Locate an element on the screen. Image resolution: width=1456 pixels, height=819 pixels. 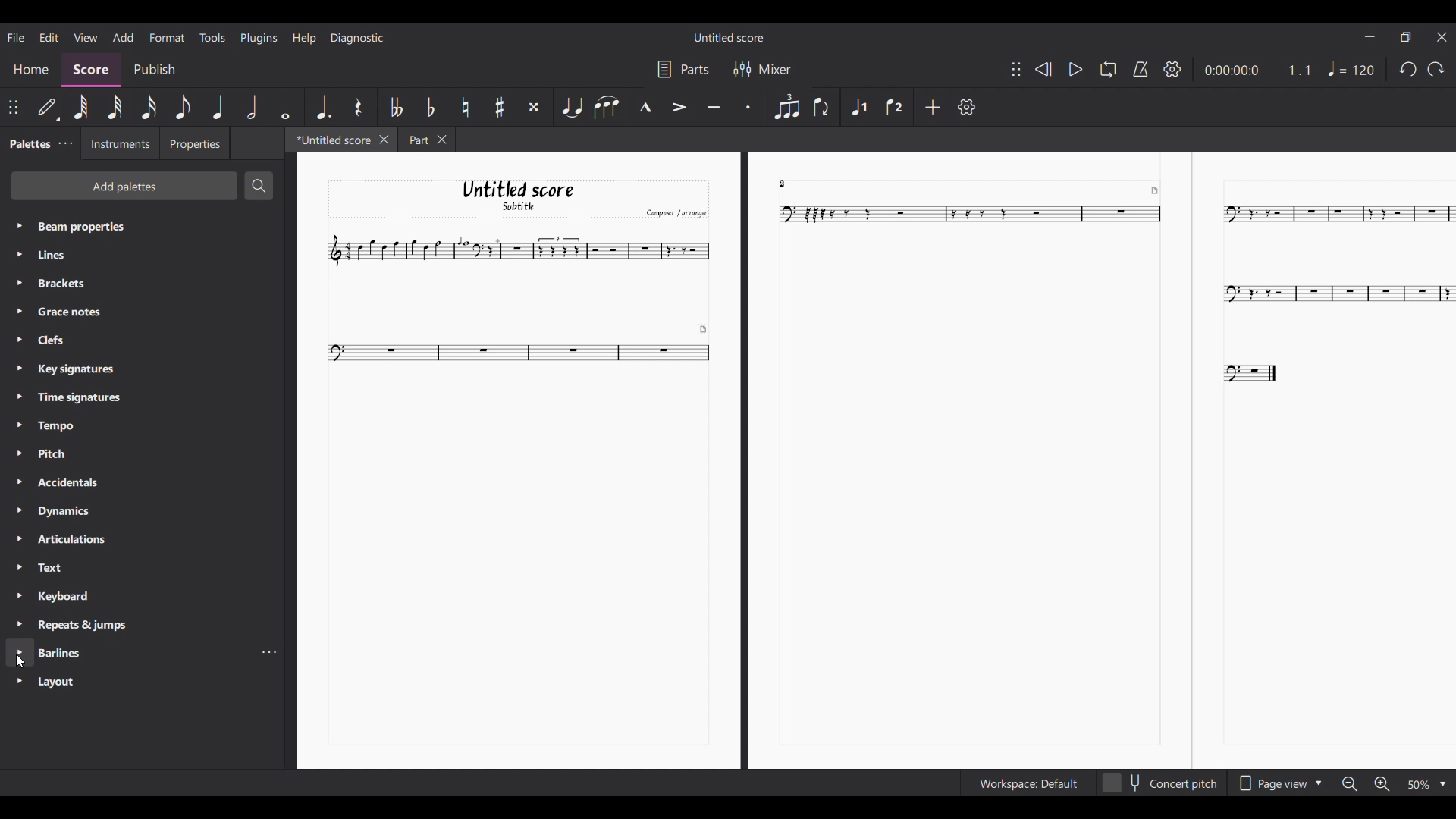
Marcato is located at coordinates (645, 106).